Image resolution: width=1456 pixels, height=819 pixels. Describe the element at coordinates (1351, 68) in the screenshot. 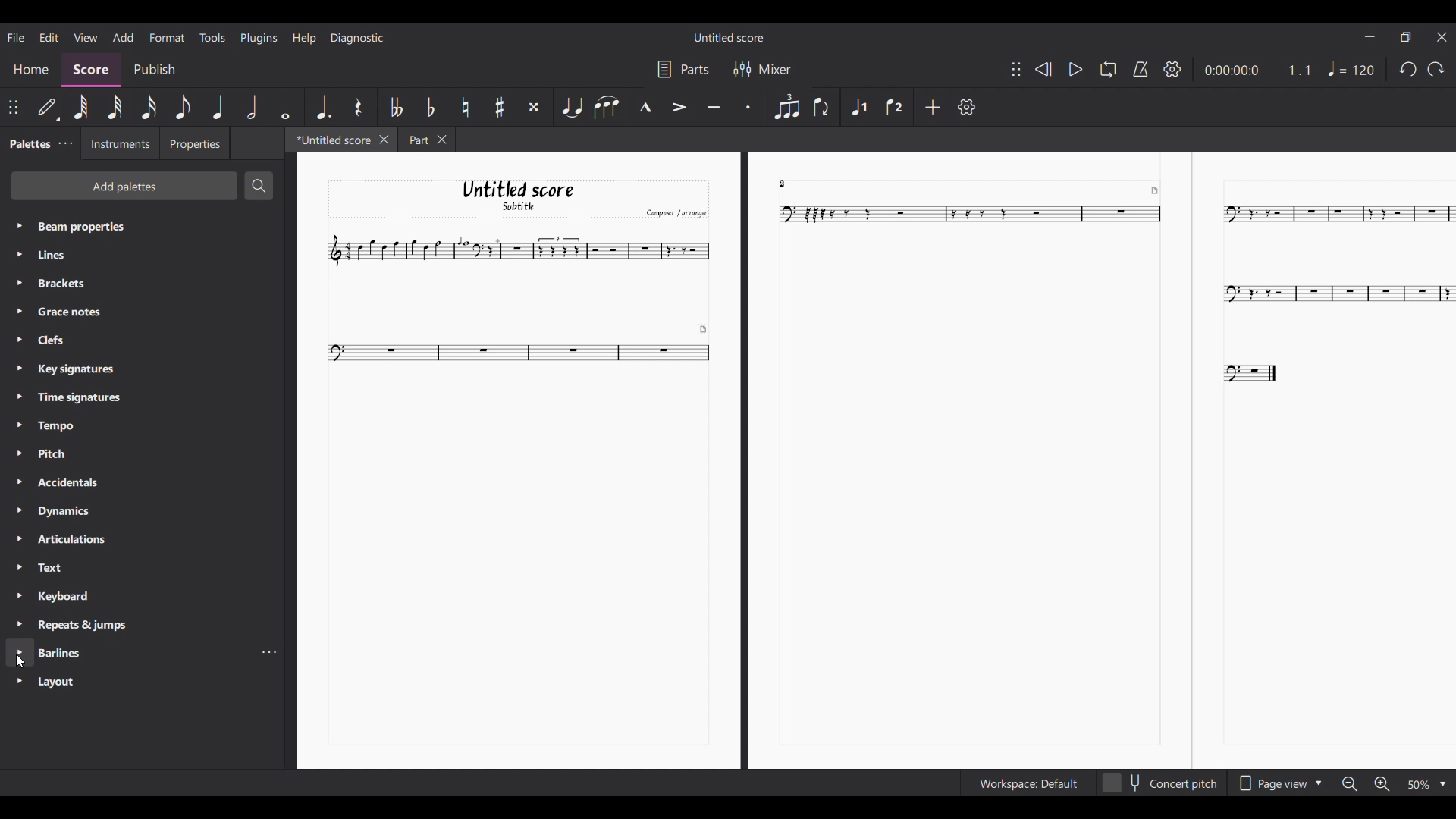

I see `Tempo` at that location.